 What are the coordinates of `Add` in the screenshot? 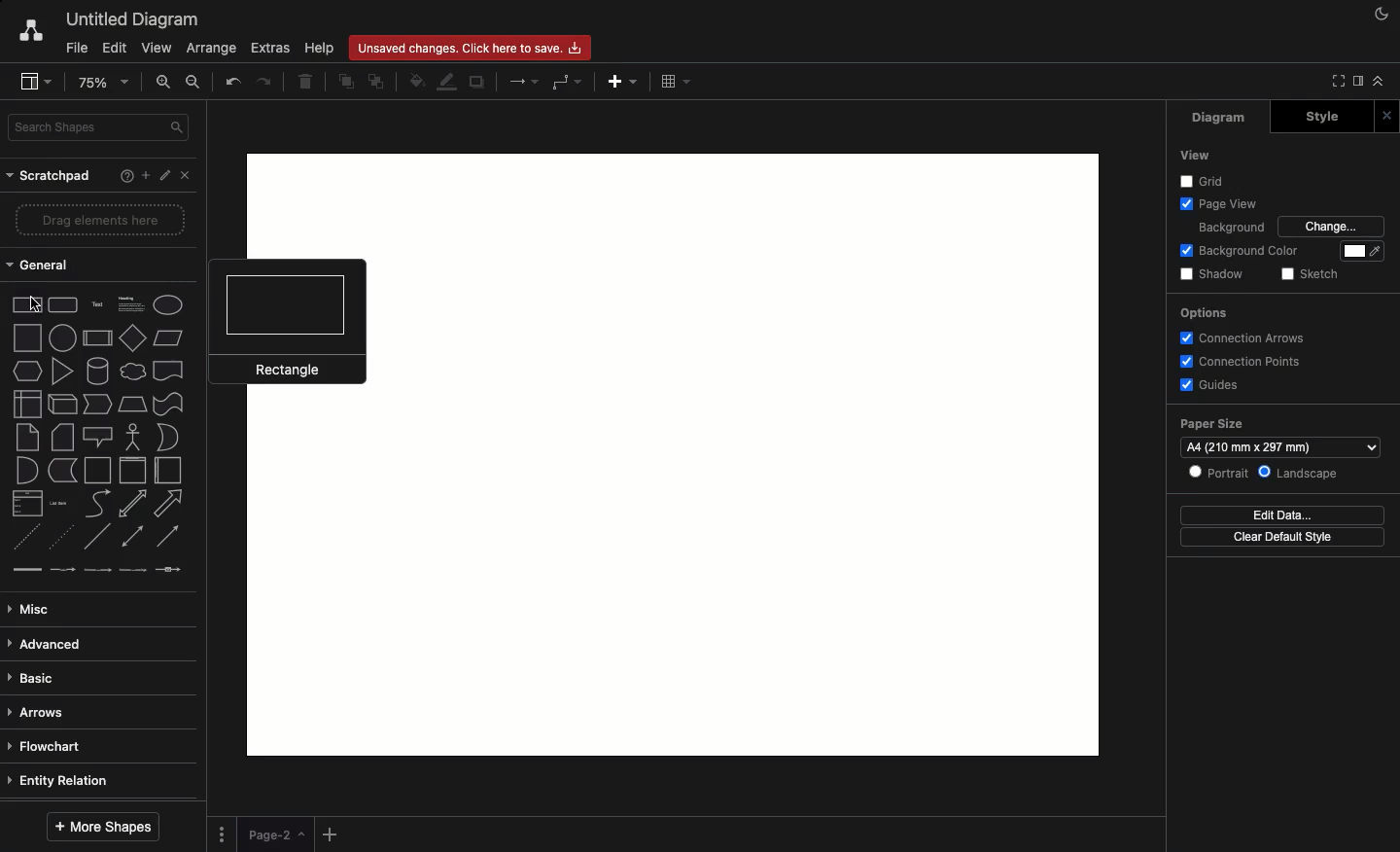 It's located at (625, 83).